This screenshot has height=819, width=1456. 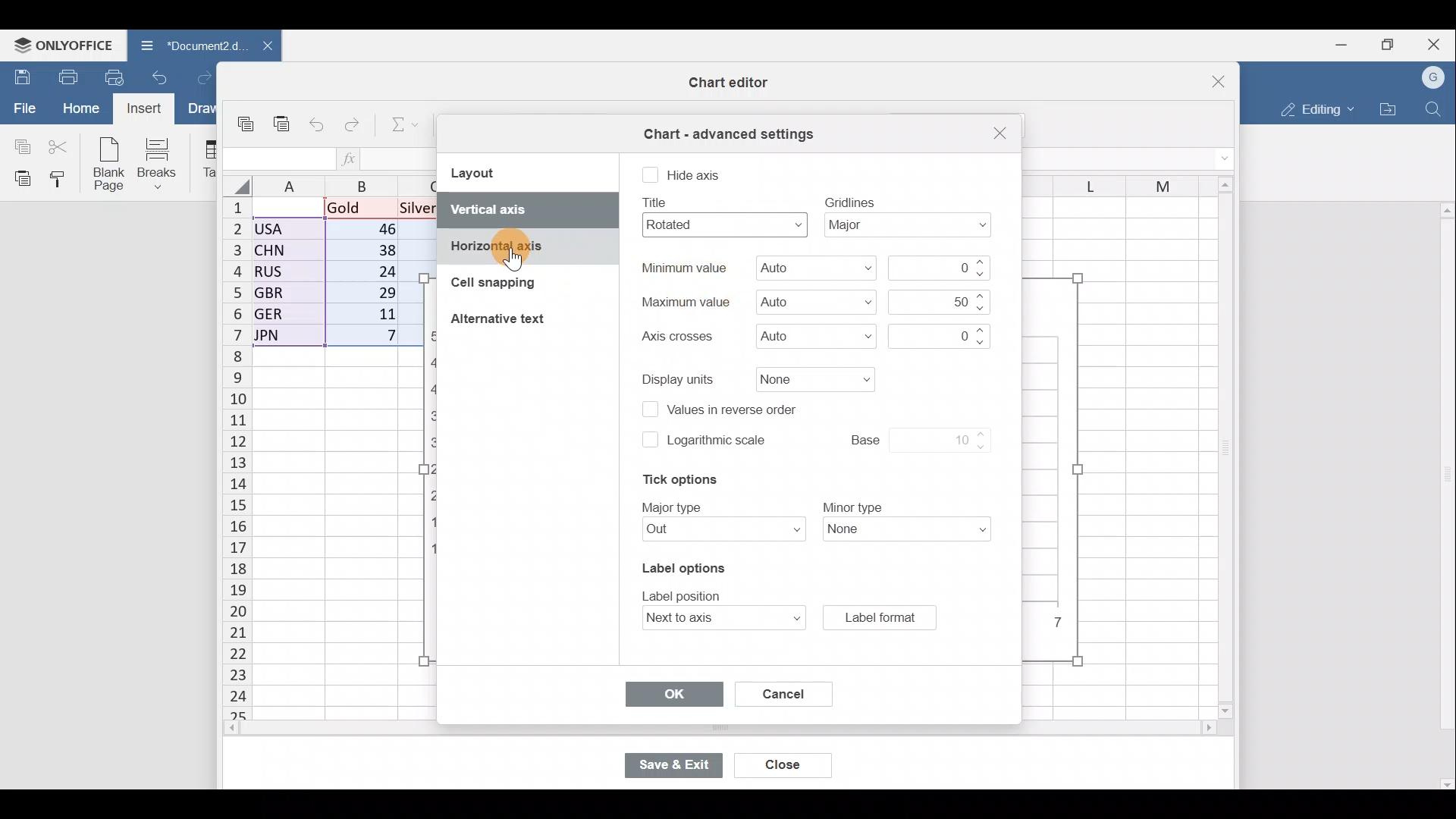 I want to click on Title, so click(x=720, y=224).